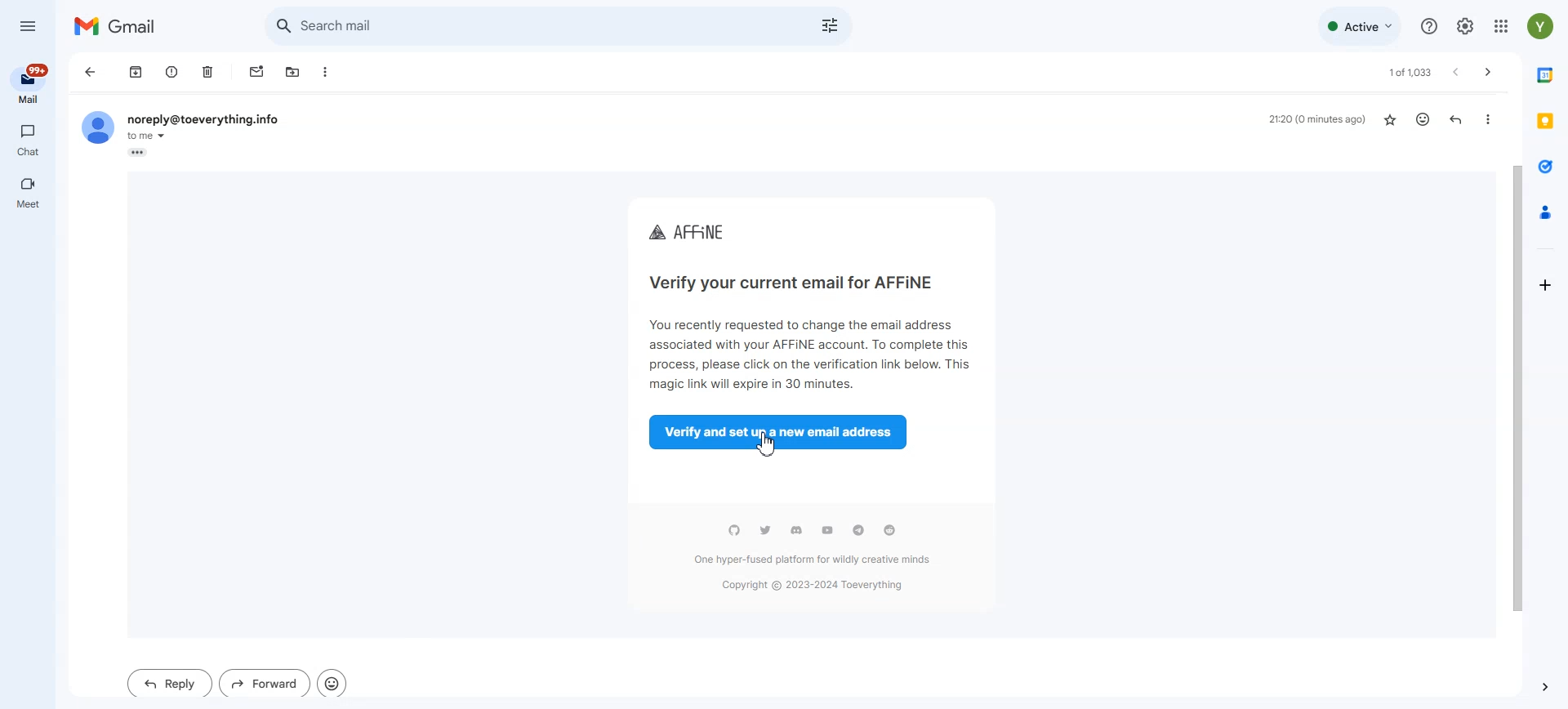  I want to click on Older, so click(1487, 72).